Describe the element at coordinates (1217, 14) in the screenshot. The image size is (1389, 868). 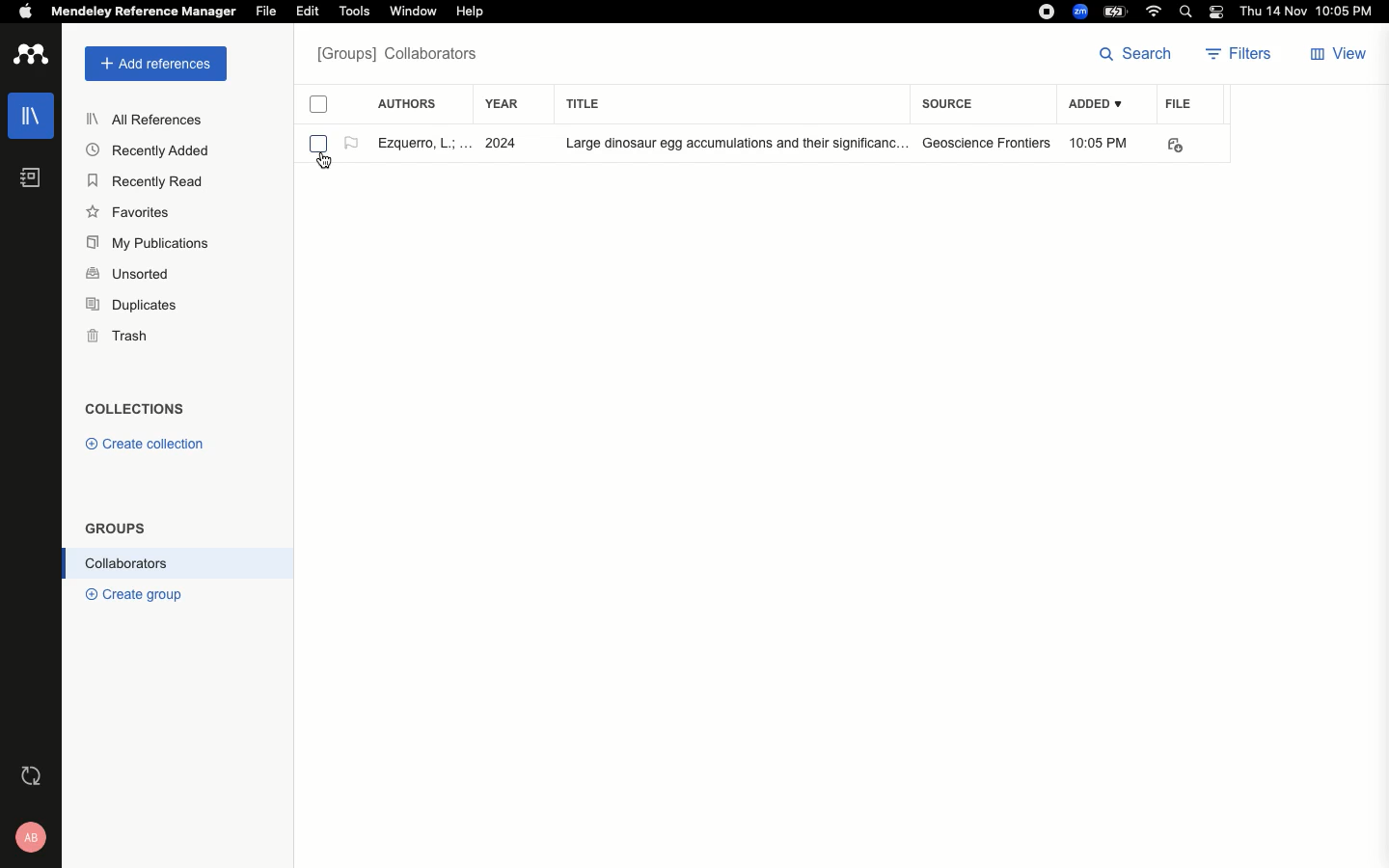
I see `Notification bar` at that location.